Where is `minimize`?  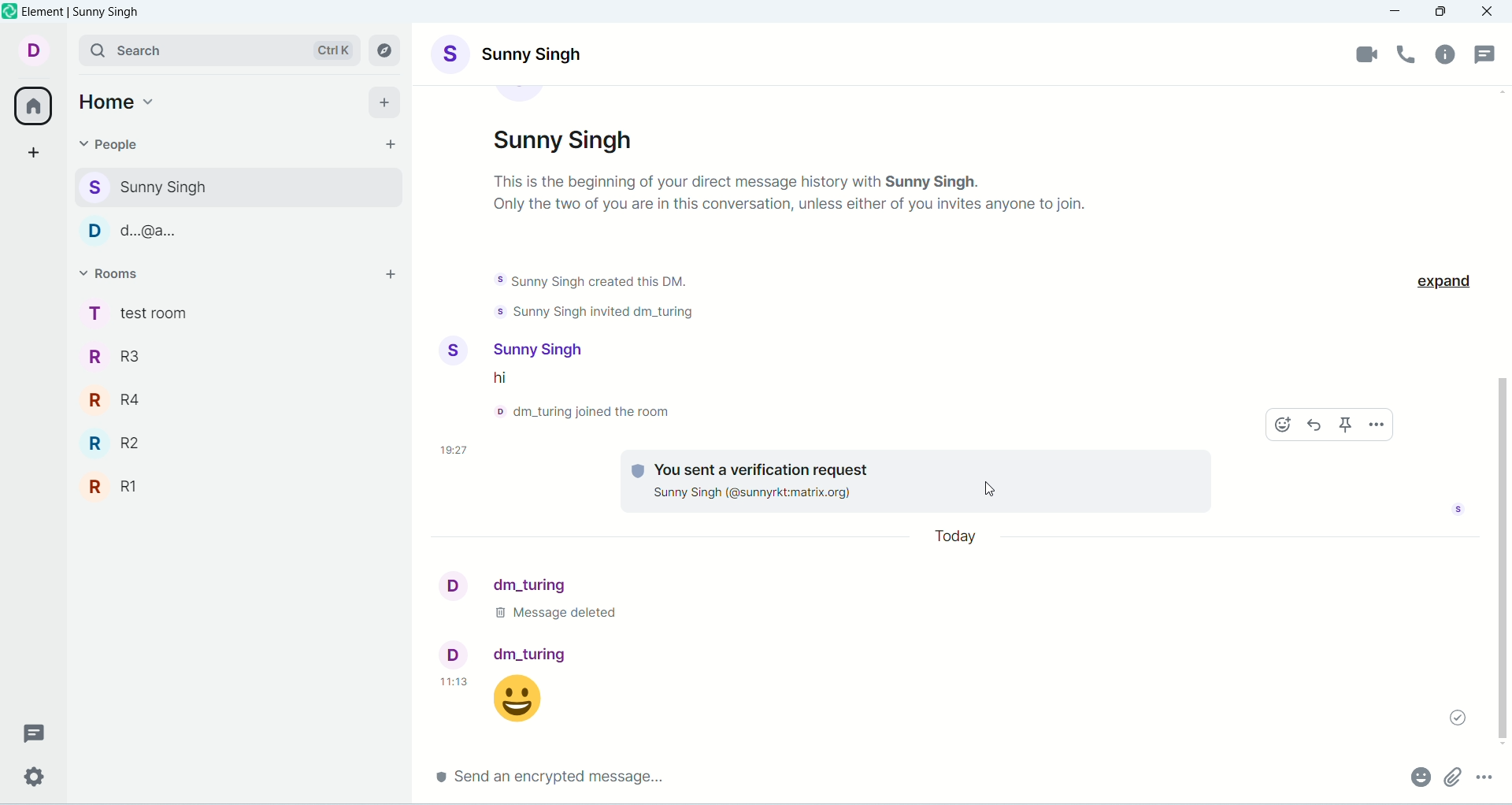 minimize is located at coordinates (1396, 13).